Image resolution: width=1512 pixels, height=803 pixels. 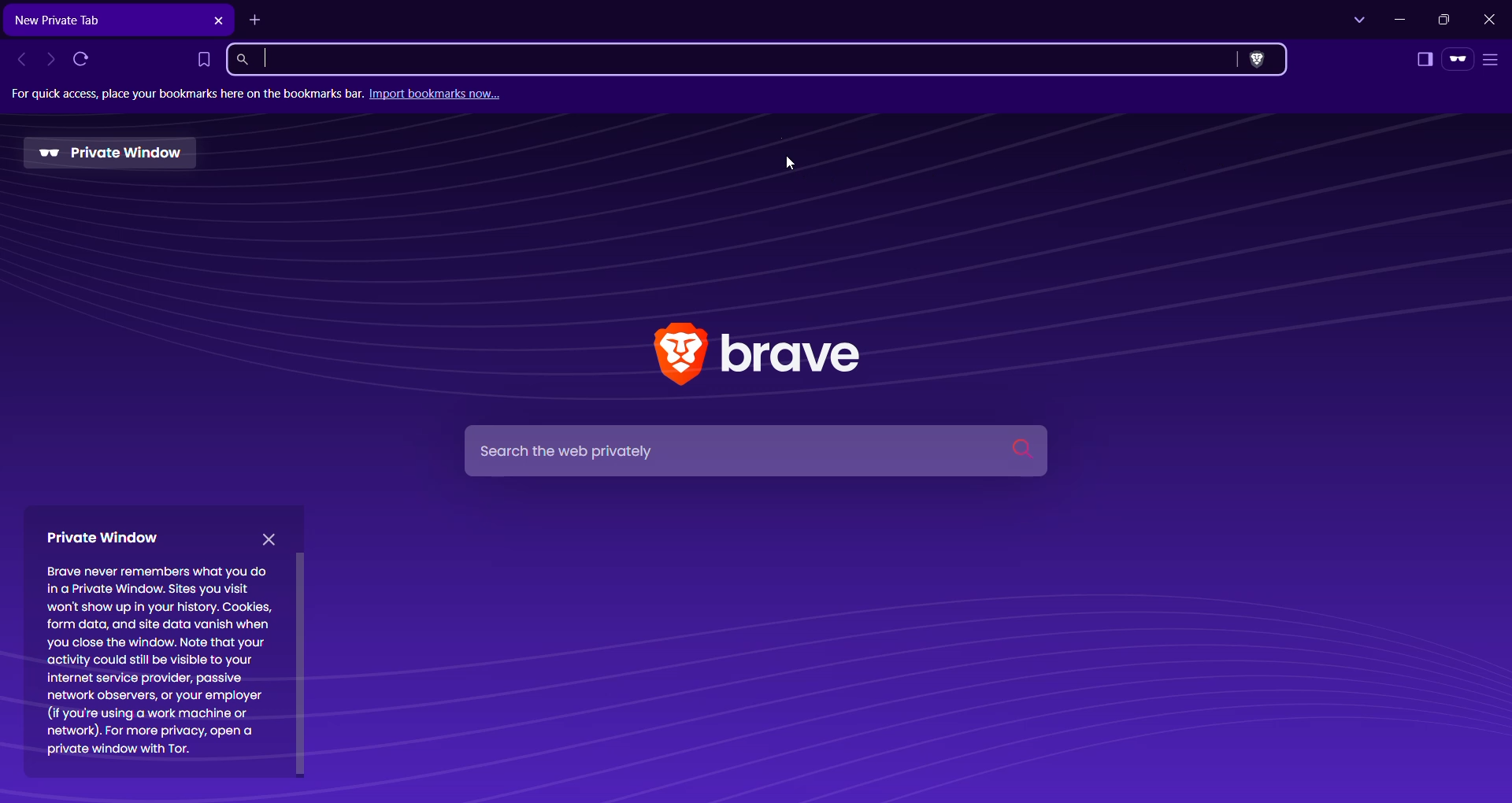 I want to click on Customize and control Brave, so click(x=1492, y=60).